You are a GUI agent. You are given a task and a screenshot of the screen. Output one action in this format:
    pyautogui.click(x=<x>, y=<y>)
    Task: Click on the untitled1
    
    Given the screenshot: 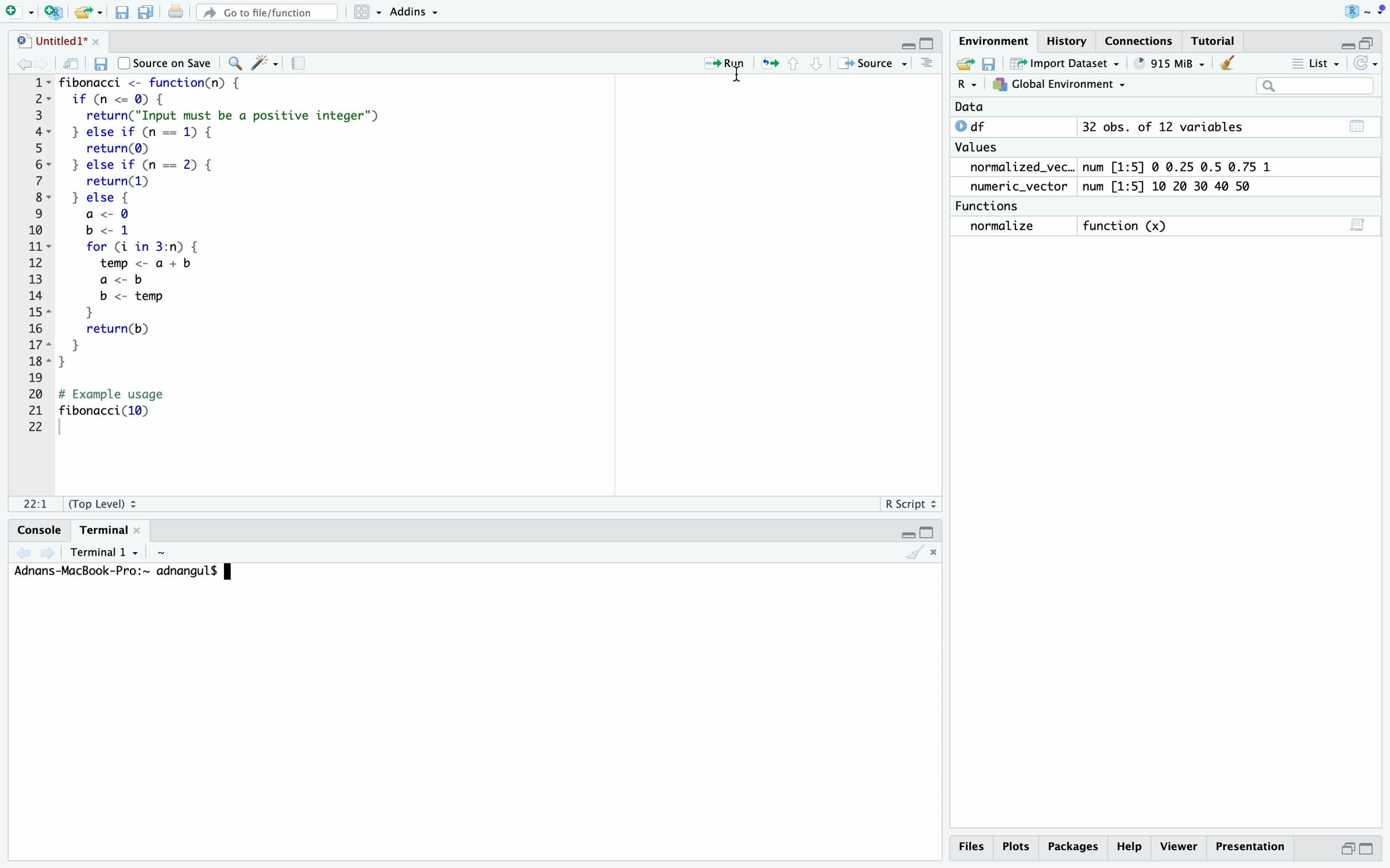 What is the action you would take?
    pyautogui.click(x=51, y=41)
    